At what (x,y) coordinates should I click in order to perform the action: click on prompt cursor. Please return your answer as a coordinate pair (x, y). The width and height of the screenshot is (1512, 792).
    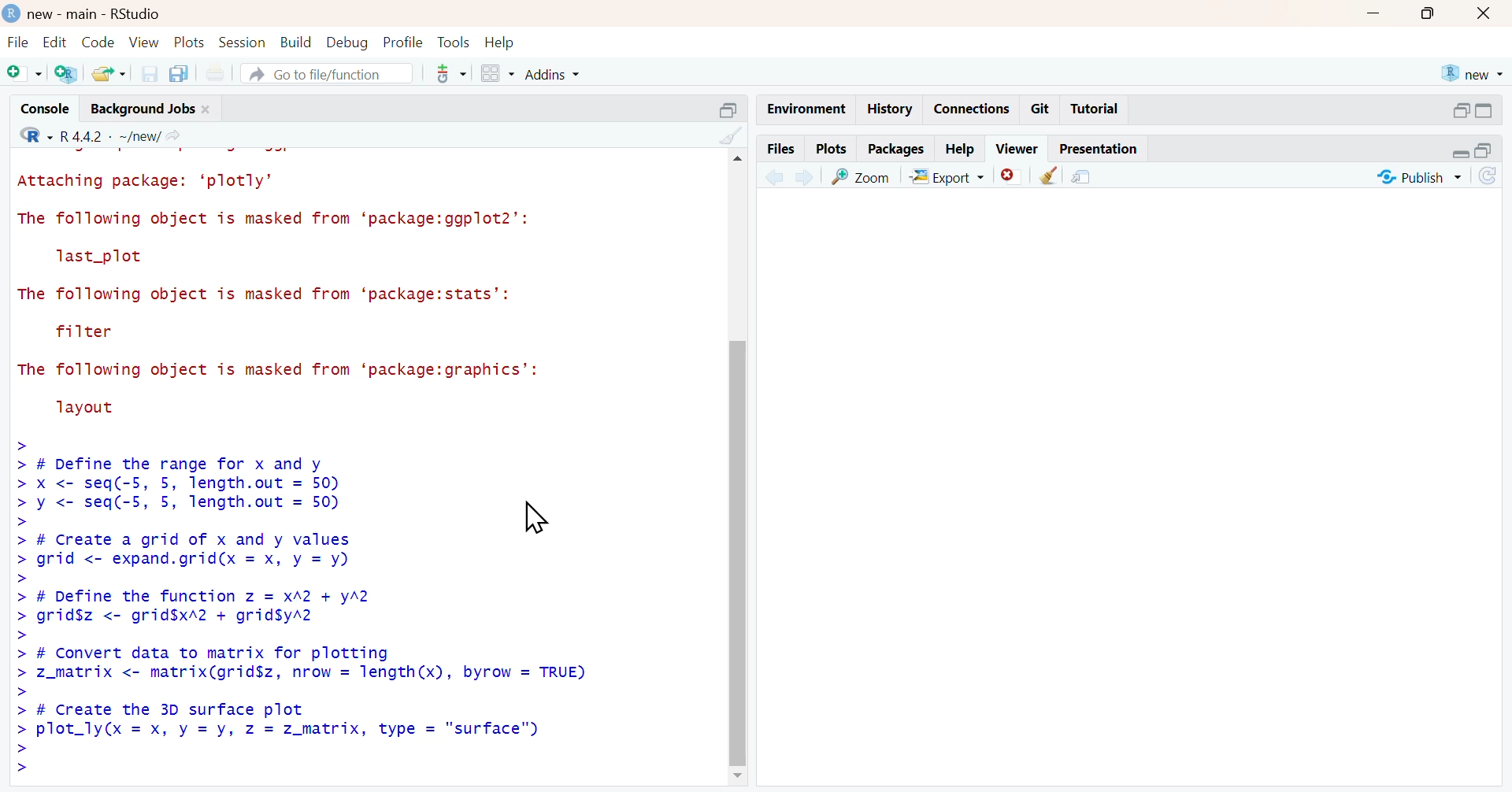
    Looking at the image, I should click on (18, 523).